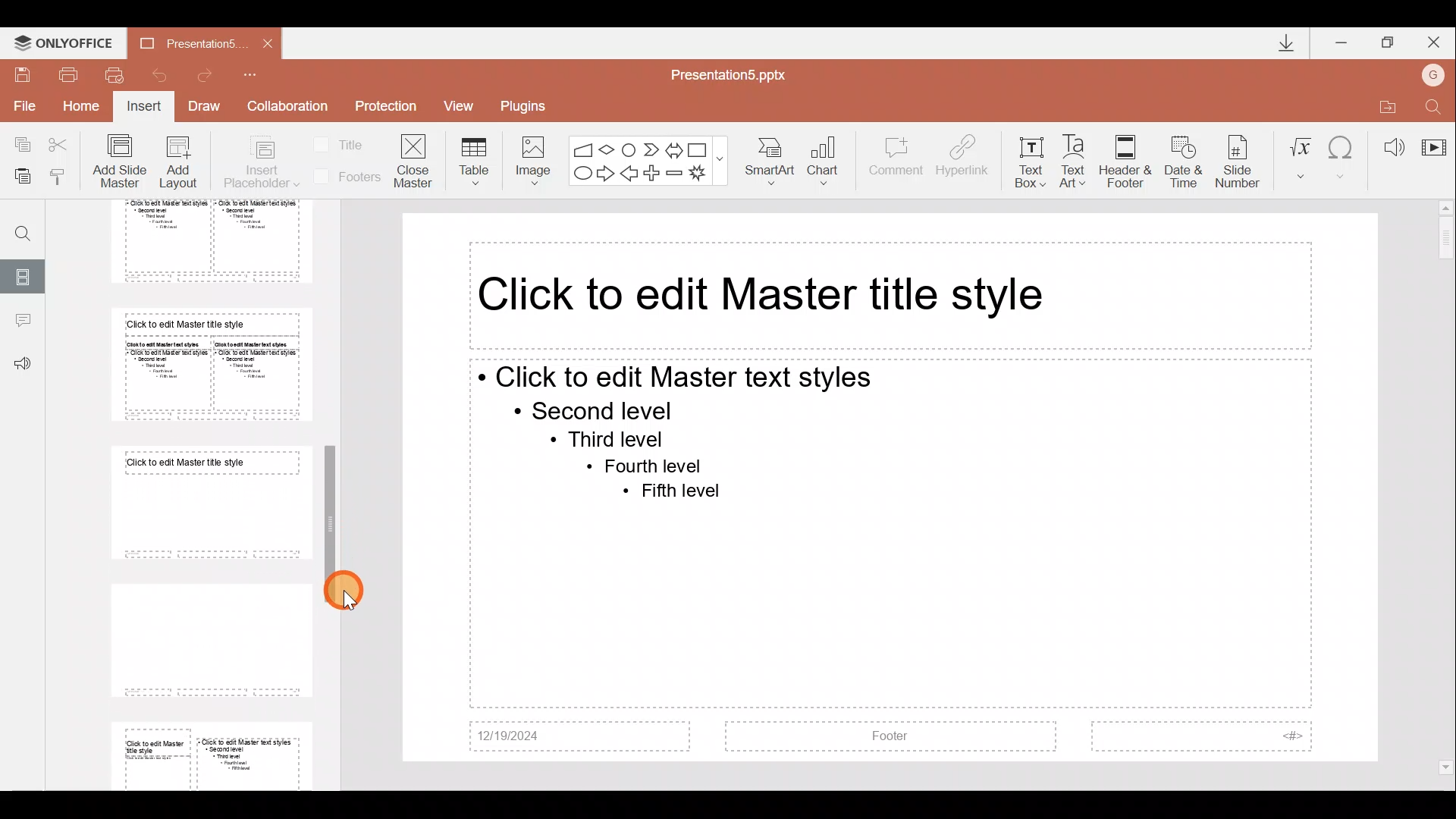 Image resolution: width=1456 pixels, height=819 pixels. Describe the element at coordinates (123, 162) in the screenshot. I see `Add slide master` at that location.